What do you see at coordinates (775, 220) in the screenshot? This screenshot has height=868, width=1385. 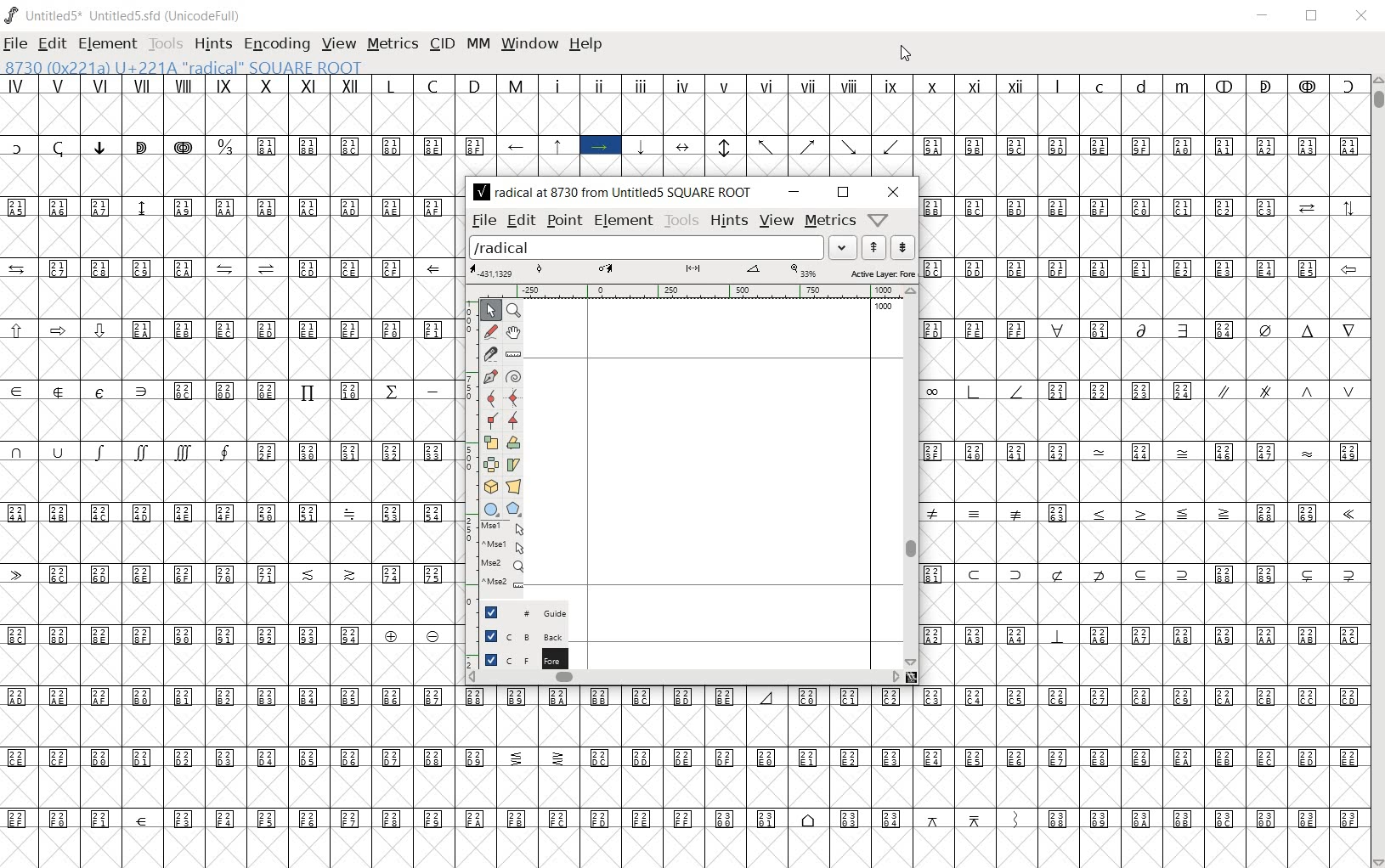 I see `view` at bounding box center [775, 220].